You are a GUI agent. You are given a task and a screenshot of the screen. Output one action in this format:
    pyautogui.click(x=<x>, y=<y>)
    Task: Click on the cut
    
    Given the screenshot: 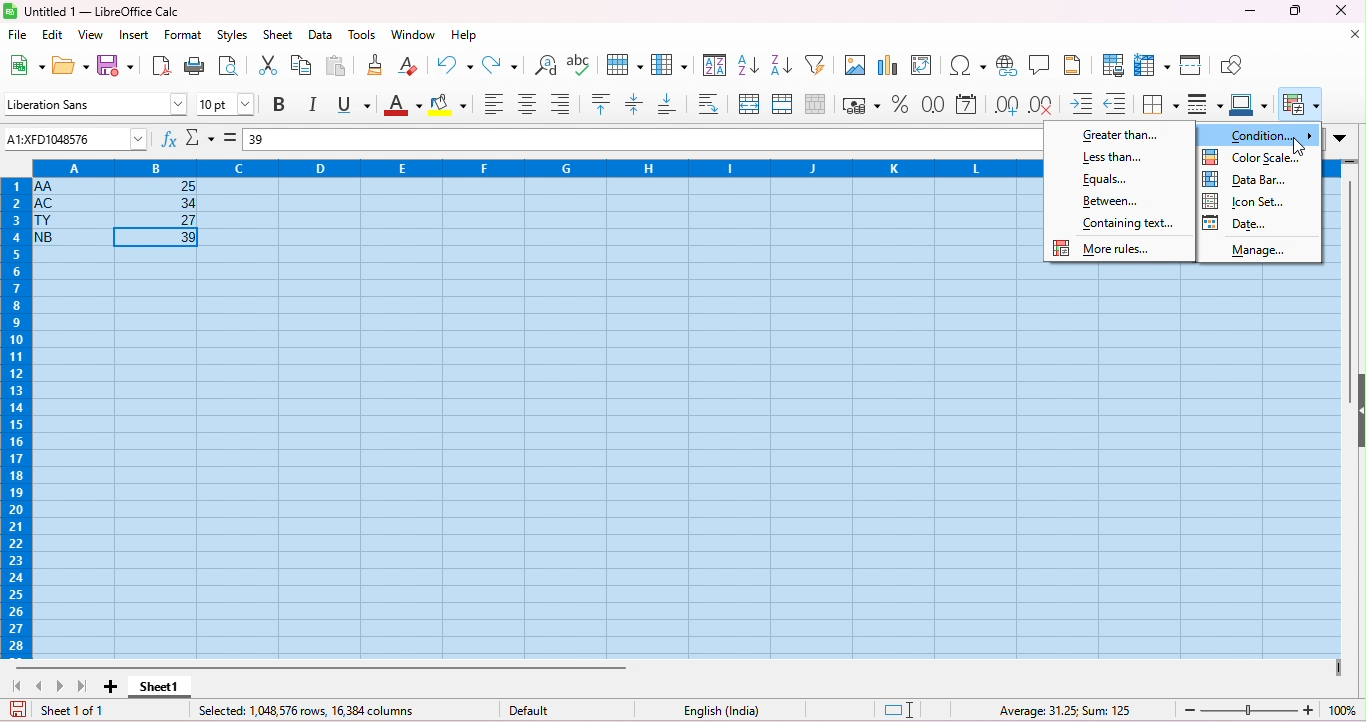 What is the action you would take?
    pyautogui.click(x=270, y=64)
    